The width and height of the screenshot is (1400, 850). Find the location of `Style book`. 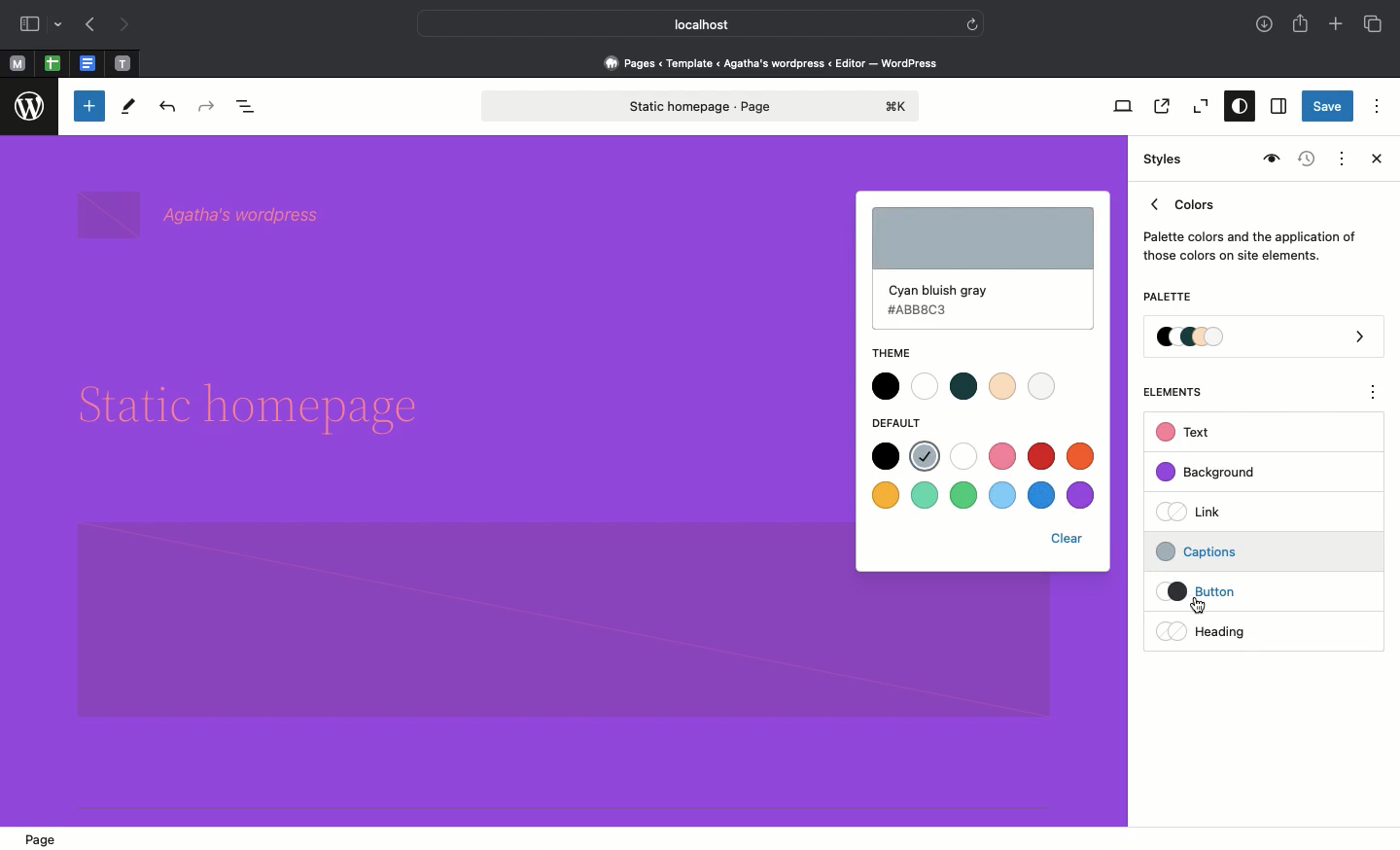

Style book is located at coordinates (1269, 159).